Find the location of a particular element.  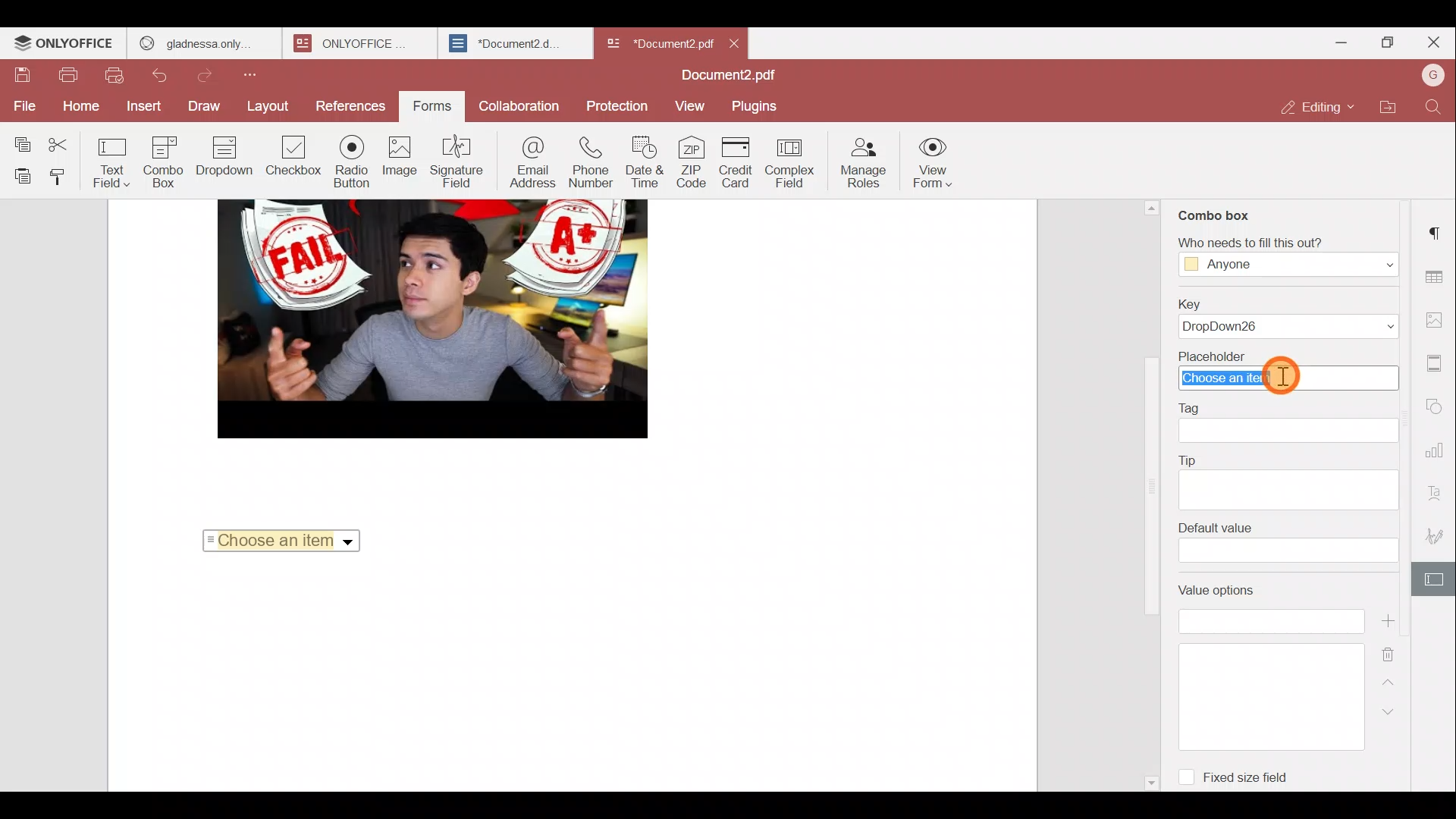

Email address is located at coordinates (531, 162).